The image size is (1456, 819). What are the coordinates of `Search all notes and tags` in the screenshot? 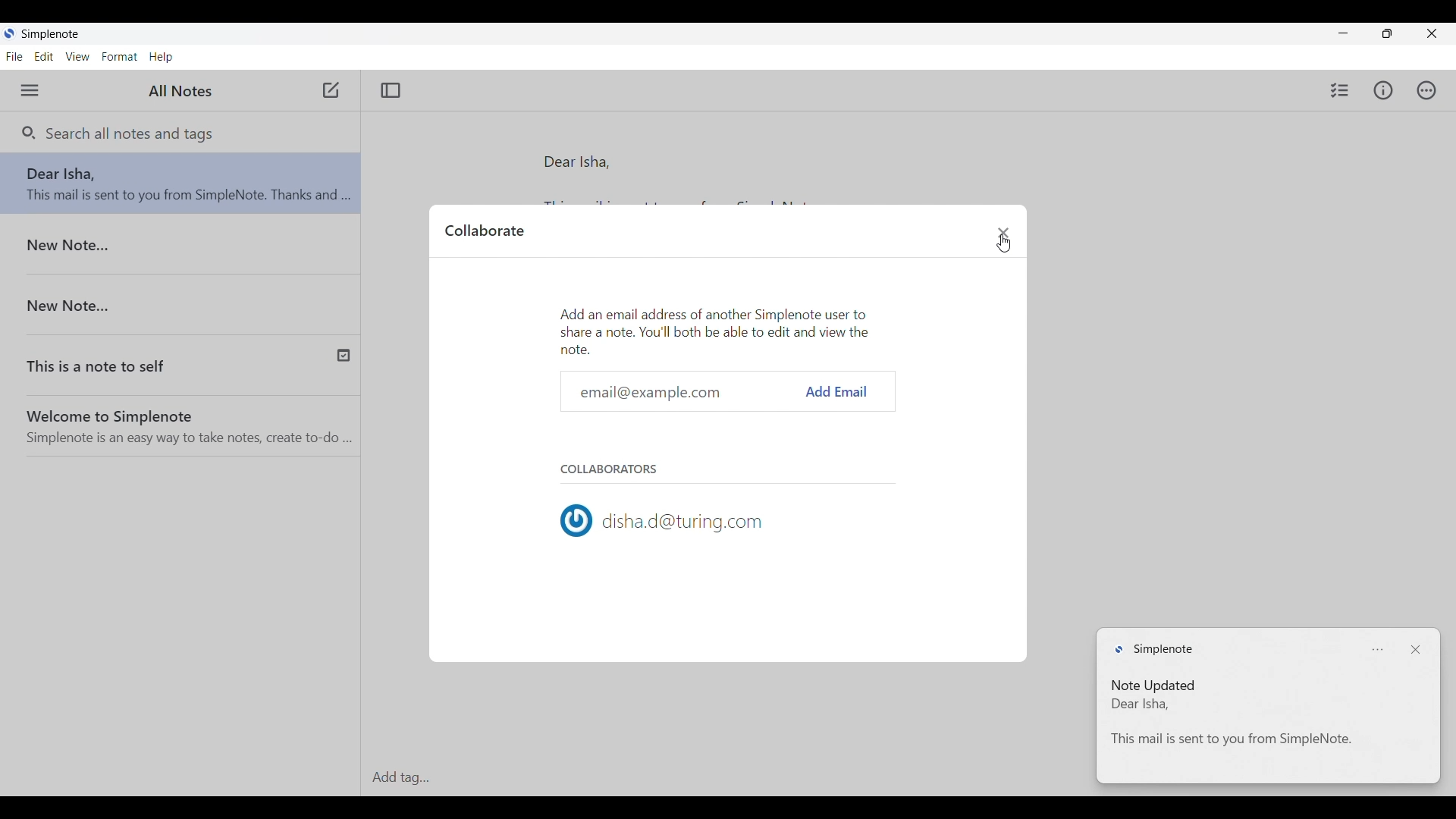 It's located at (128, 133).